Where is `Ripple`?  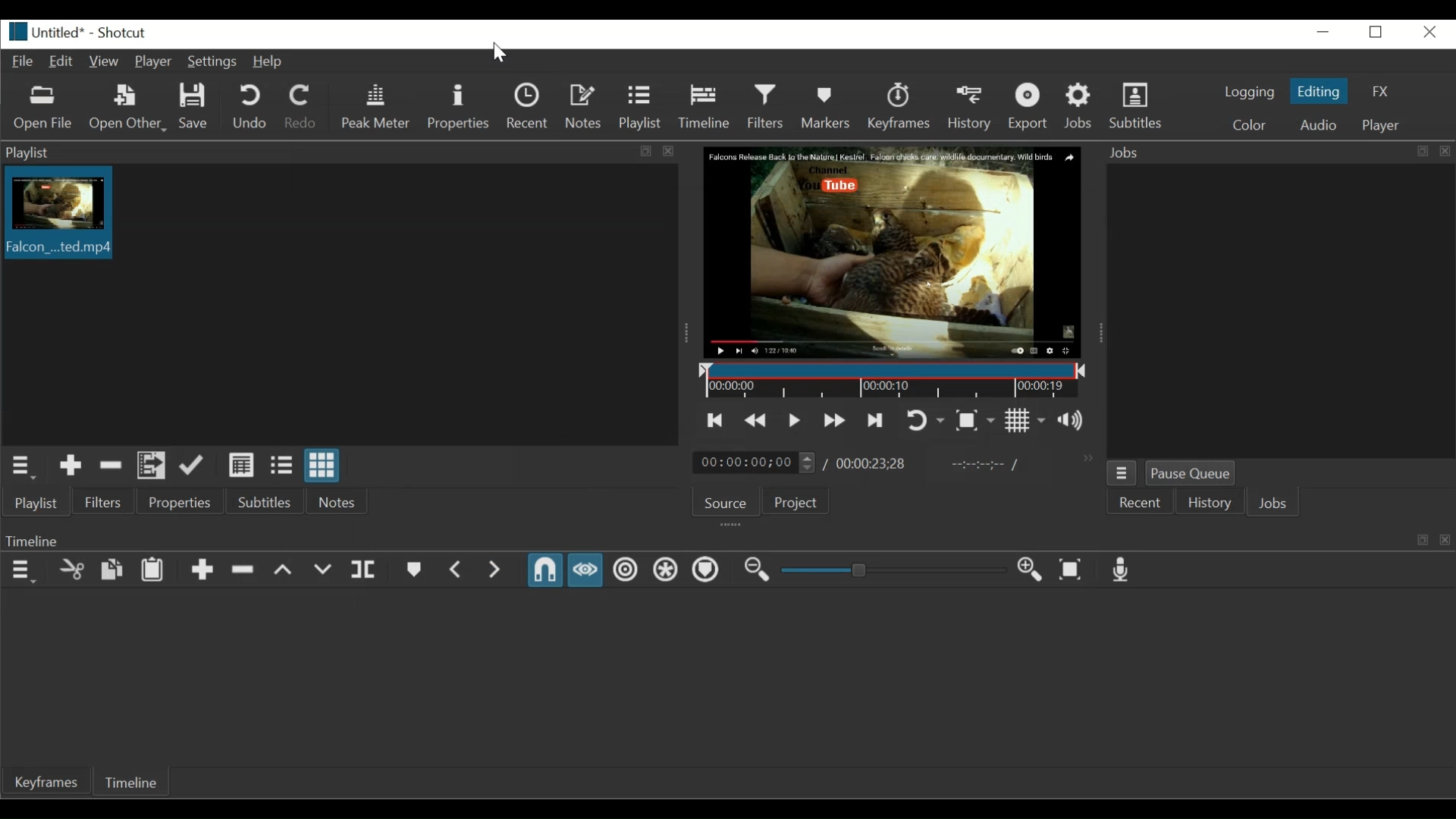 Ripple is located at coordinates (626, 570).